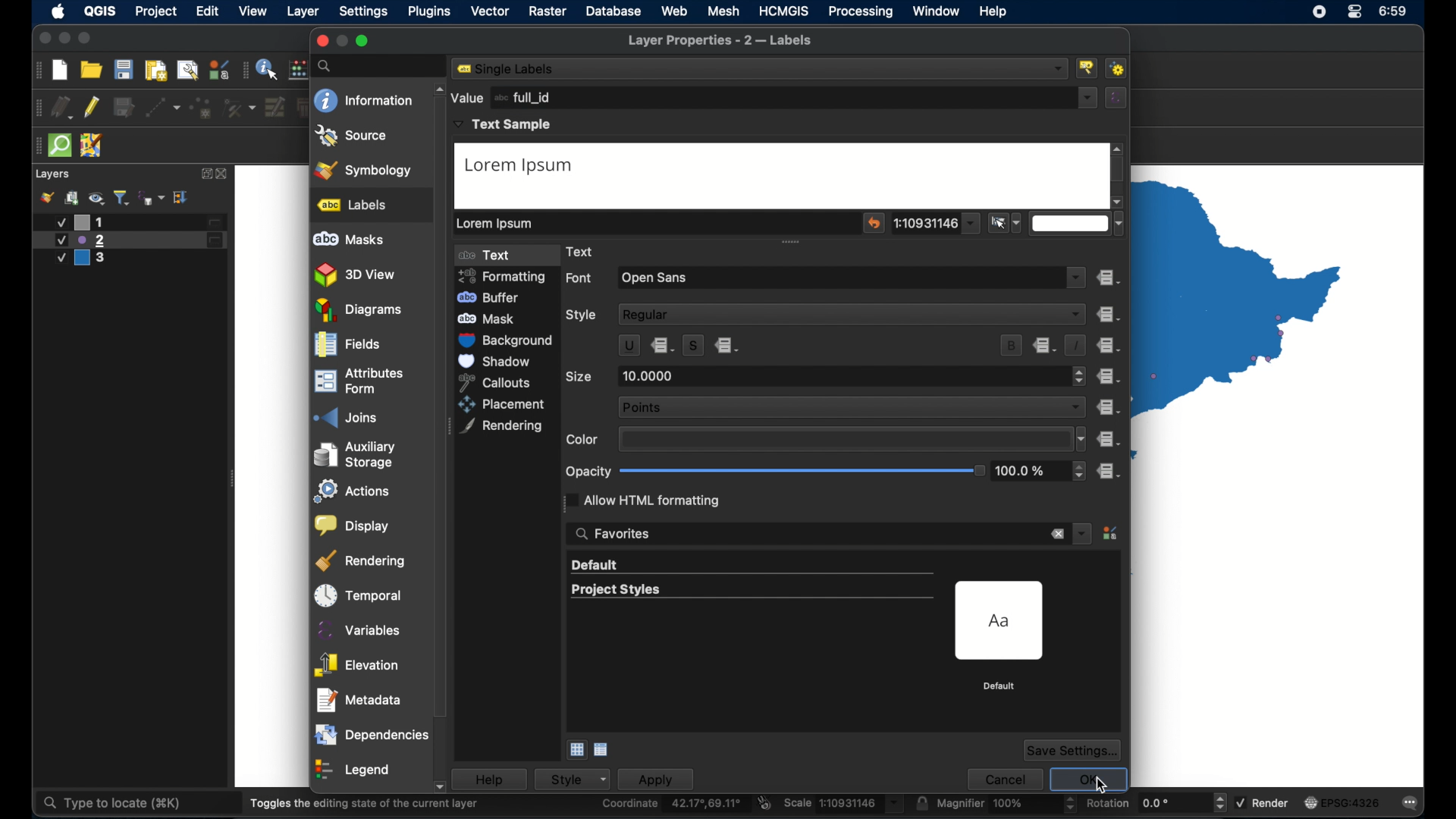 This screenshot has height=819, width=1456. I want to click on layer 2, so click(130, 240).